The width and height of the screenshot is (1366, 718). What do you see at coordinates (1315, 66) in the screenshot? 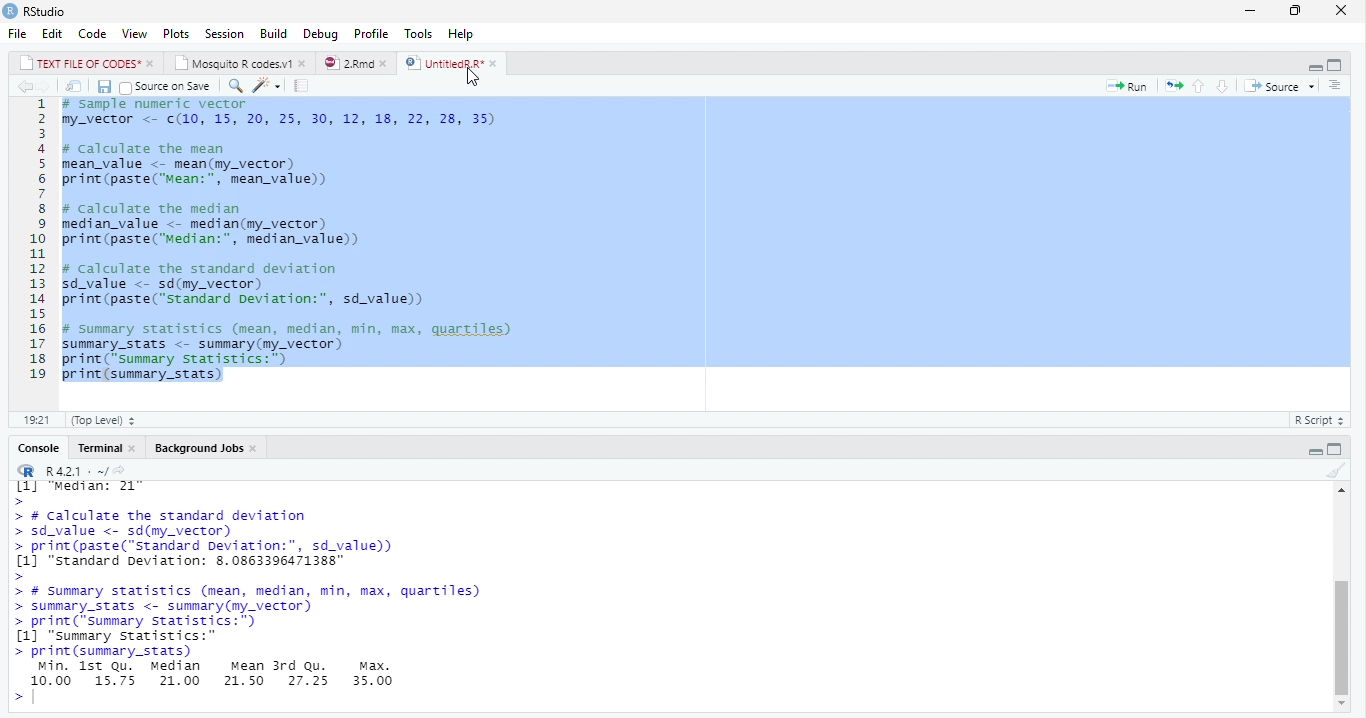
I see `minimize` at bounding box center [1315, 66].